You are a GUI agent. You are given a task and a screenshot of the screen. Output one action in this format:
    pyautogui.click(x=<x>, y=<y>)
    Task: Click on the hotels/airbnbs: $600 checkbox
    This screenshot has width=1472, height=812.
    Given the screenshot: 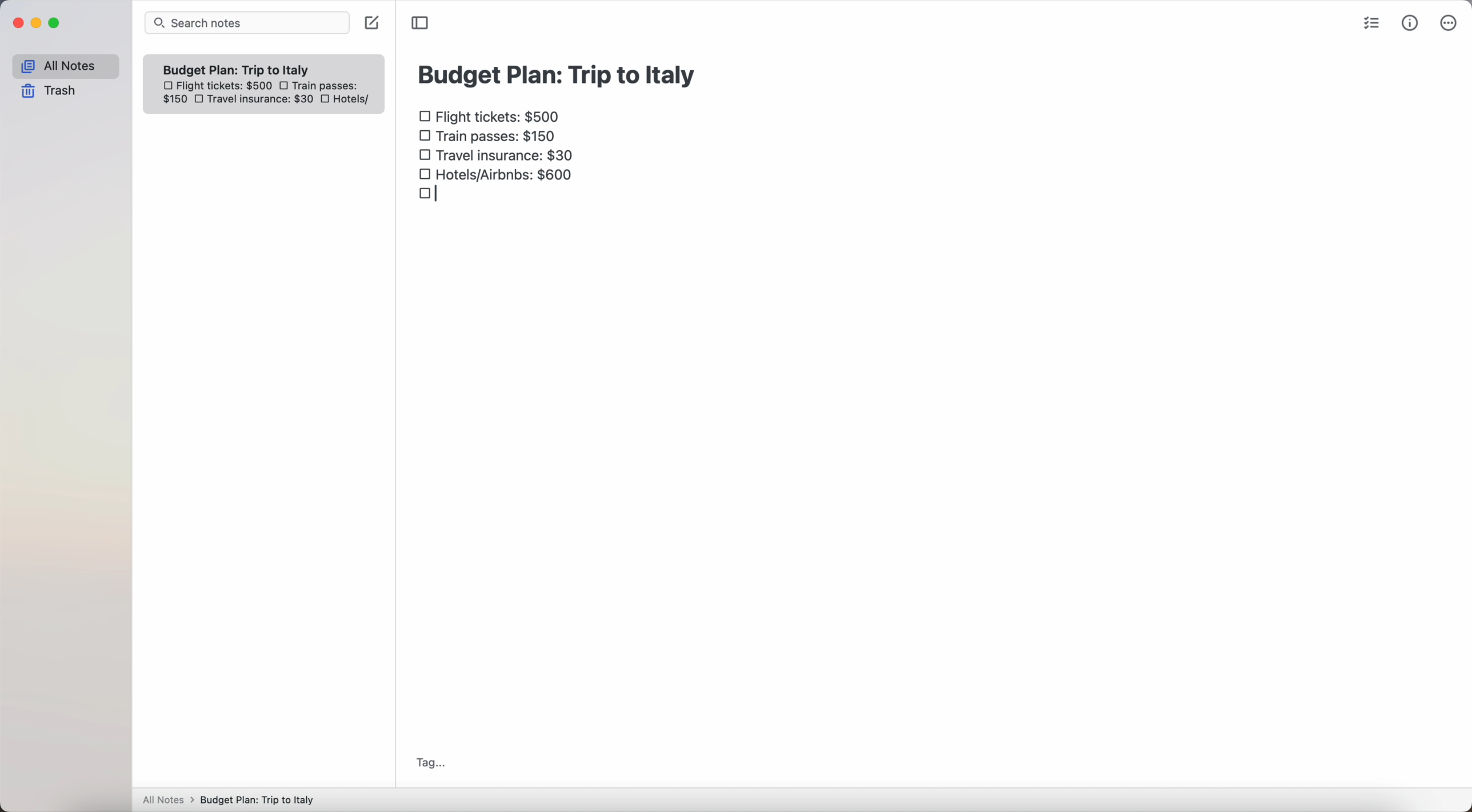 What is the action you would take?
    pyautogui.click(x=501, y=172)
    